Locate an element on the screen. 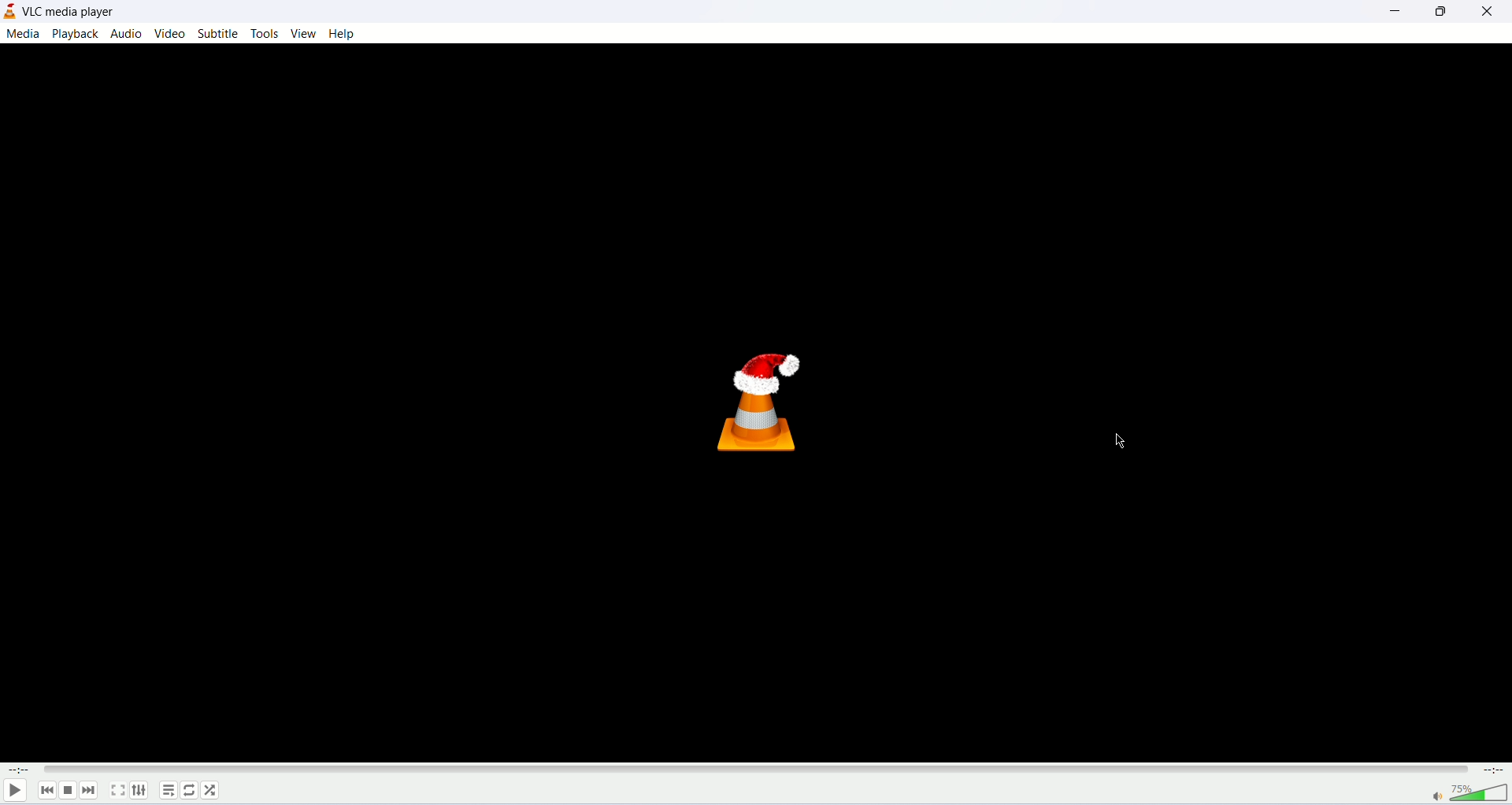 The width and height of the screenshot is (1512, 805). next is located at coordinates (91, 793).